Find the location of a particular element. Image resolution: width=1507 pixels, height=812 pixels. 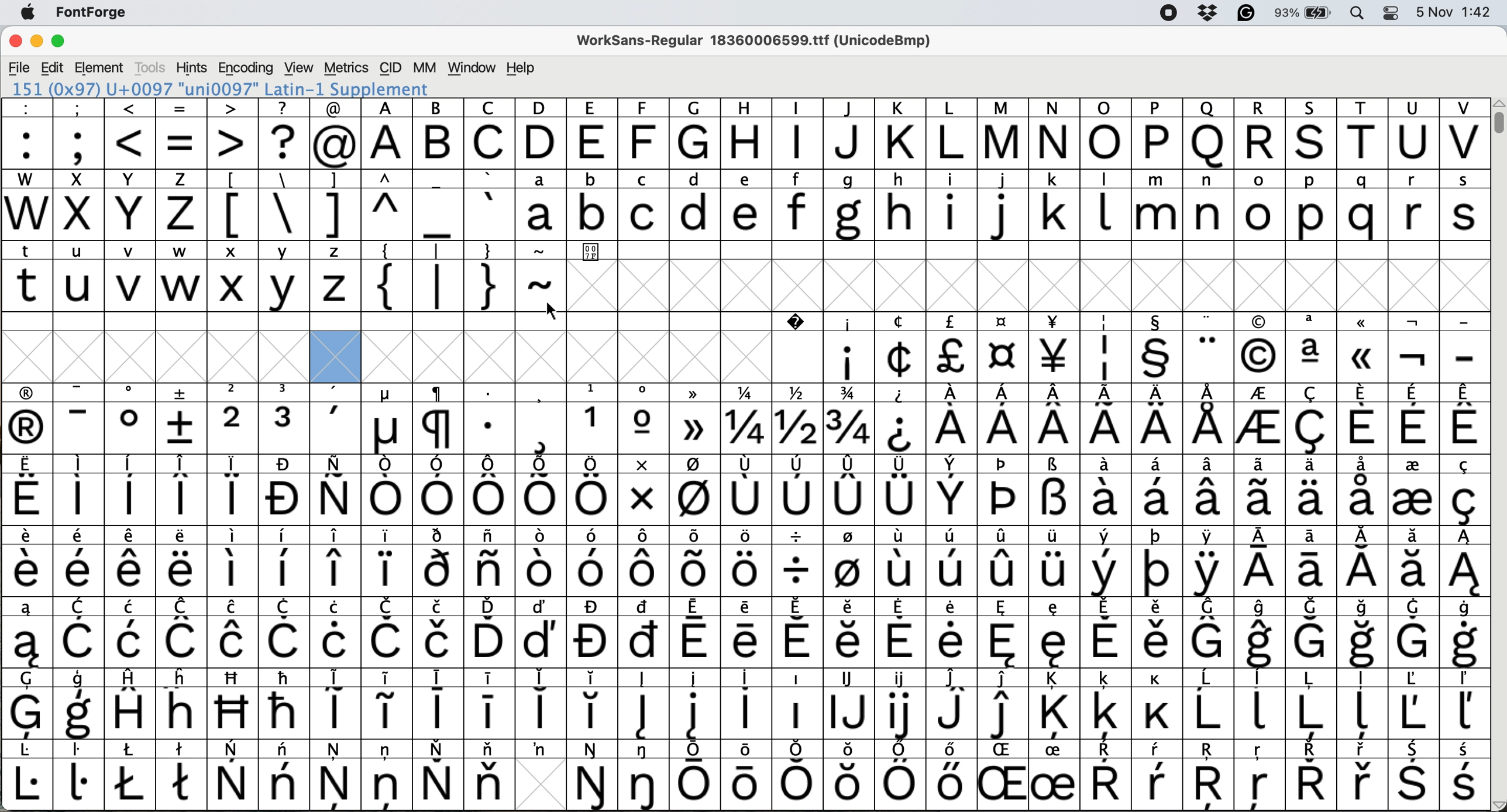

symbol is located at coordinates (1109, 349).